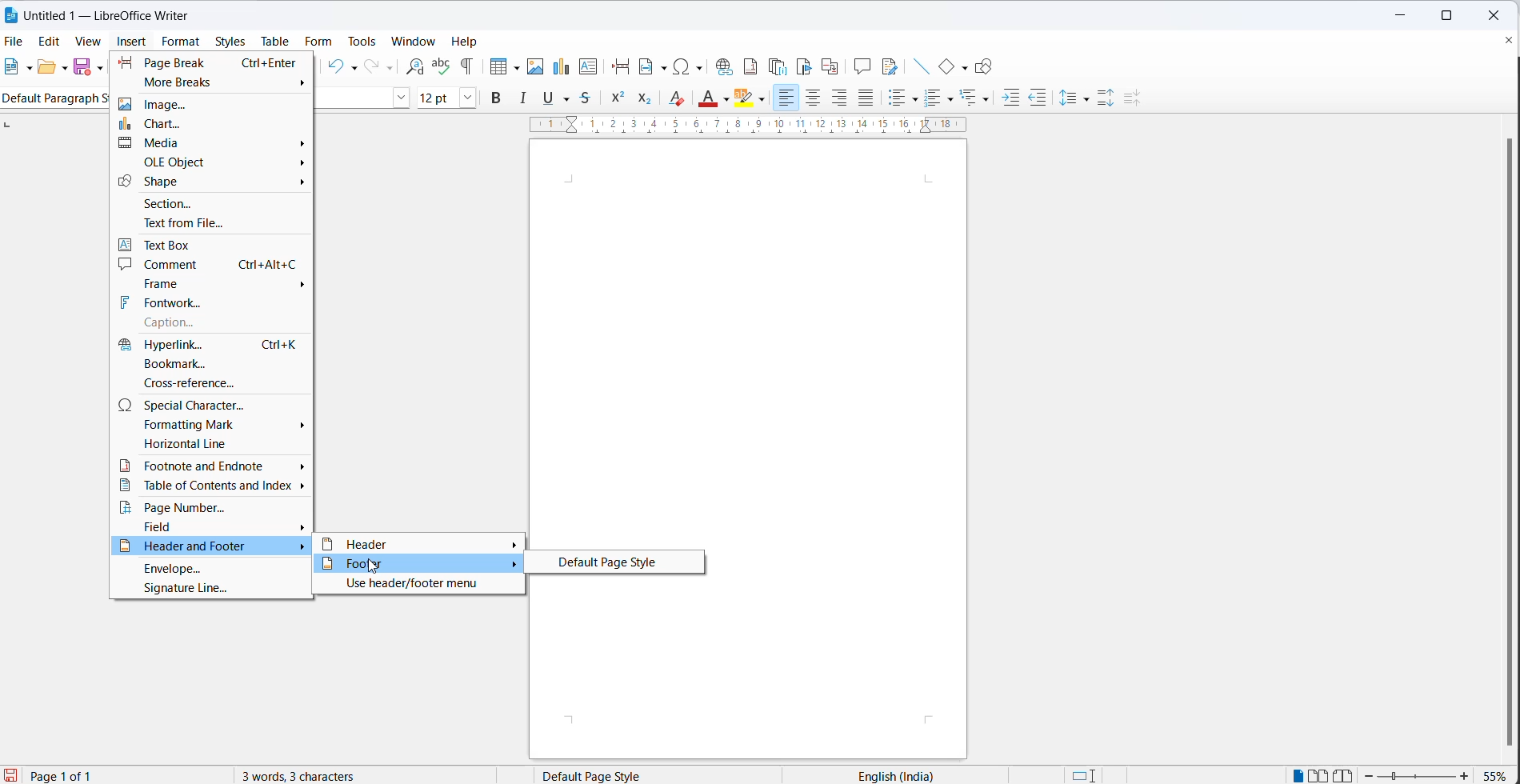 This screenshot has width=1520, height=784. What do you see at coordinates (211, 162) in the screenshot?
I see `ole object` at bounding box center [211, 162].